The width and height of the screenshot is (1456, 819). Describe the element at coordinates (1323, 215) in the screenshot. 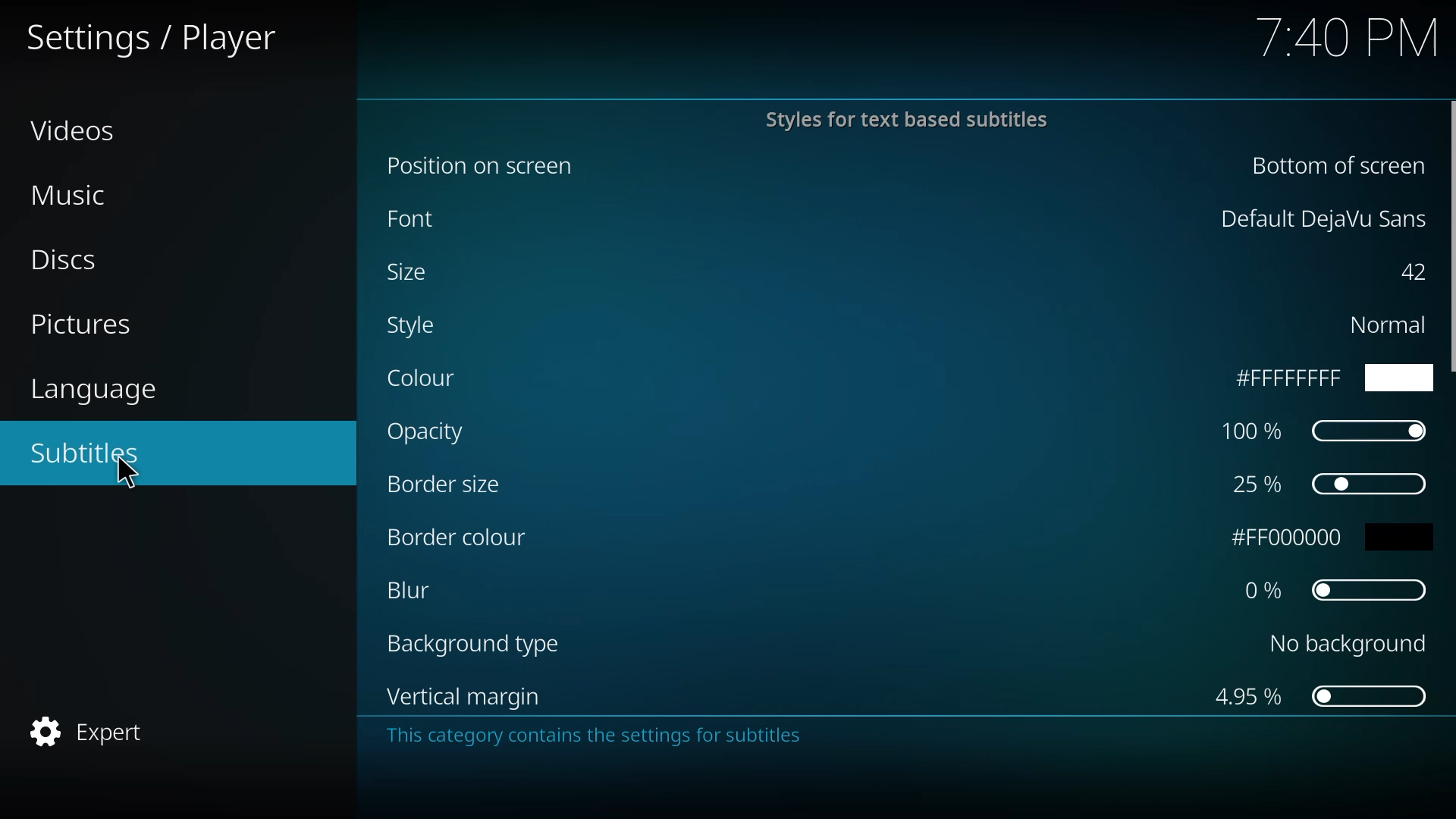

I see `default` at that location.